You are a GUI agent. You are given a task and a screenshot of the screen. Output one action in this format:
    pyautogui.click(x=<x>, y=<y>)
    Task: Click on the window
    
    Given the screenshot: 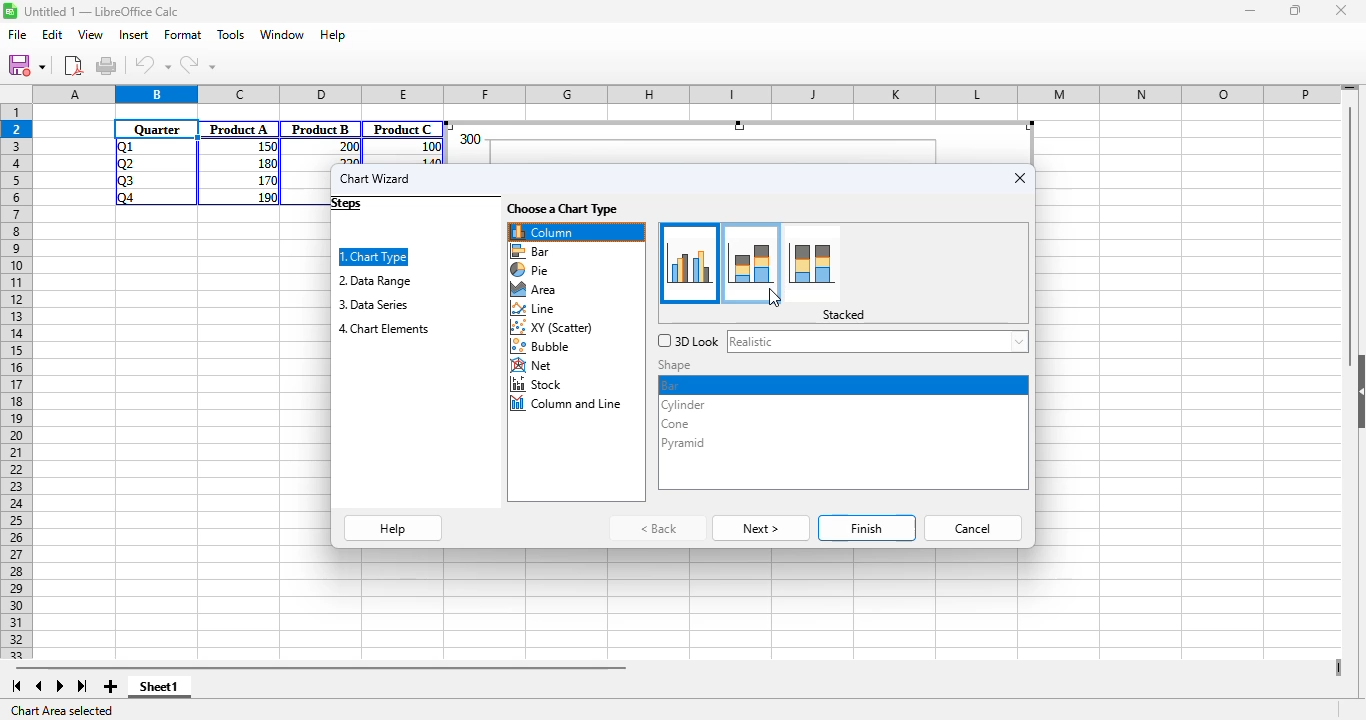 What is the action you would take?
    pyautogui.click(x=283, y=35)
    